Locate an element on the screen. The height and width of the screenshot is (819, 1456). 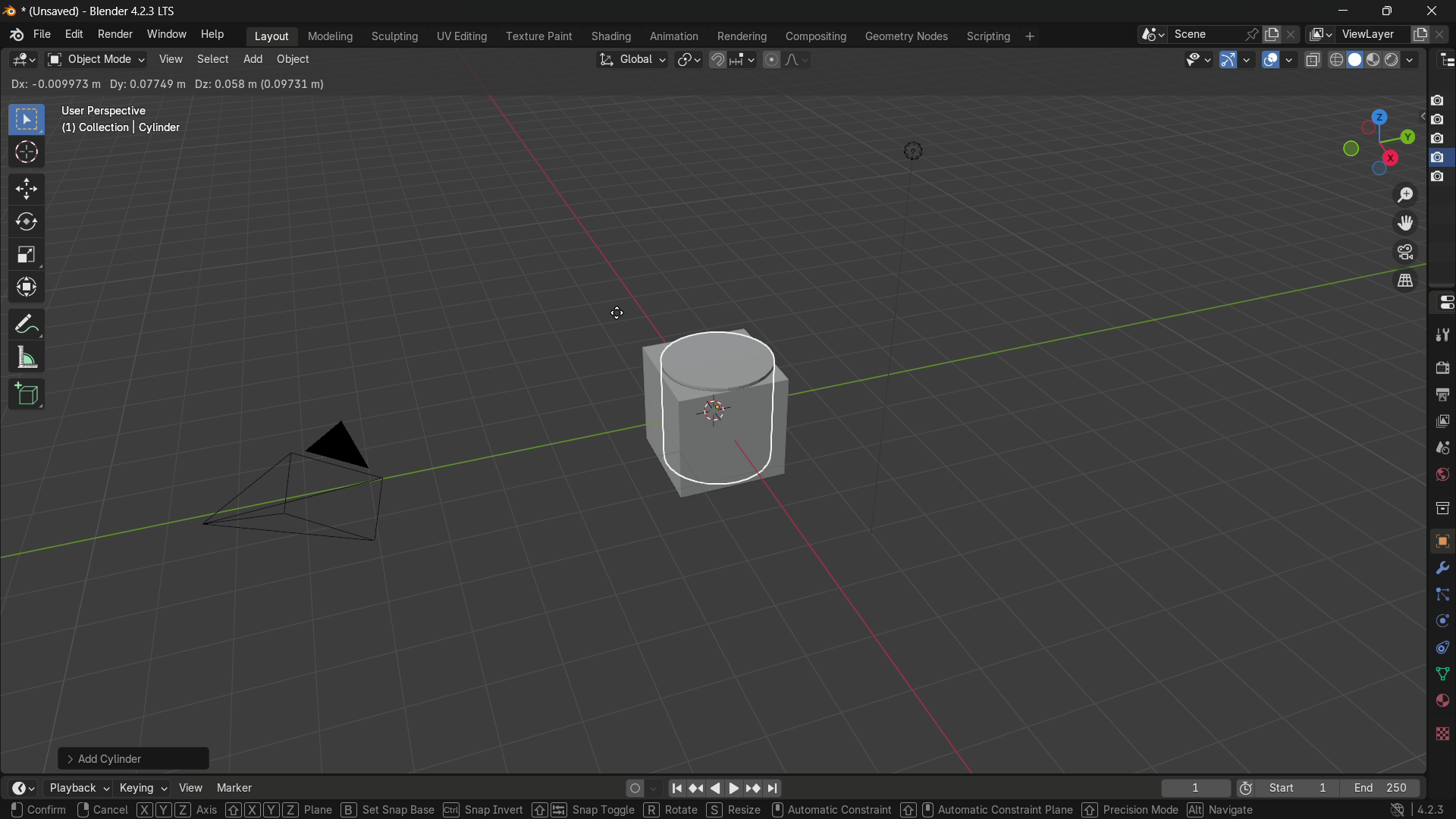
scale is located at coordinates (26, 255).